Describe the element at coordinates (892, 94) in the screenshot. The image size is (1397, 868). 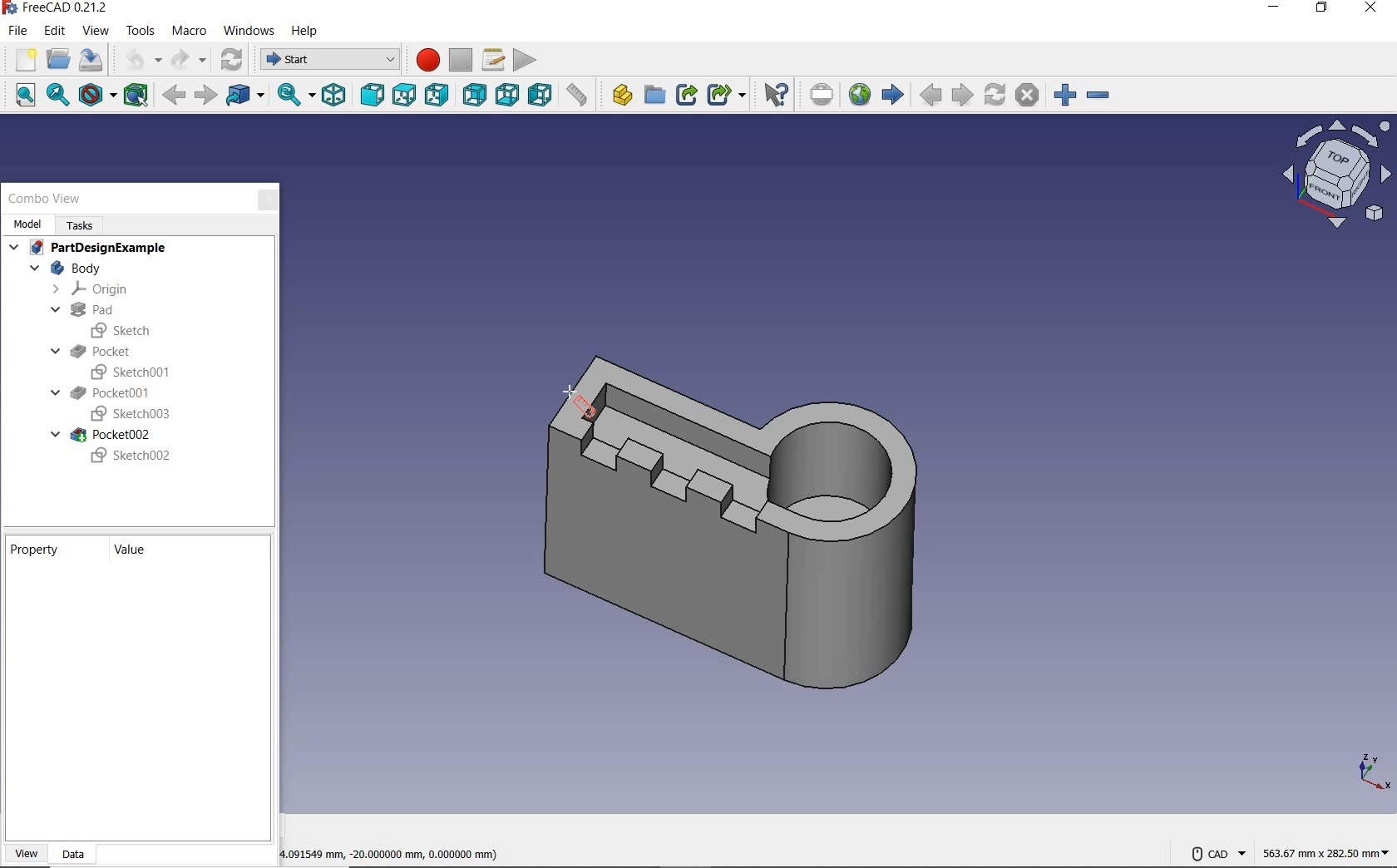
I see `start page` at that location.